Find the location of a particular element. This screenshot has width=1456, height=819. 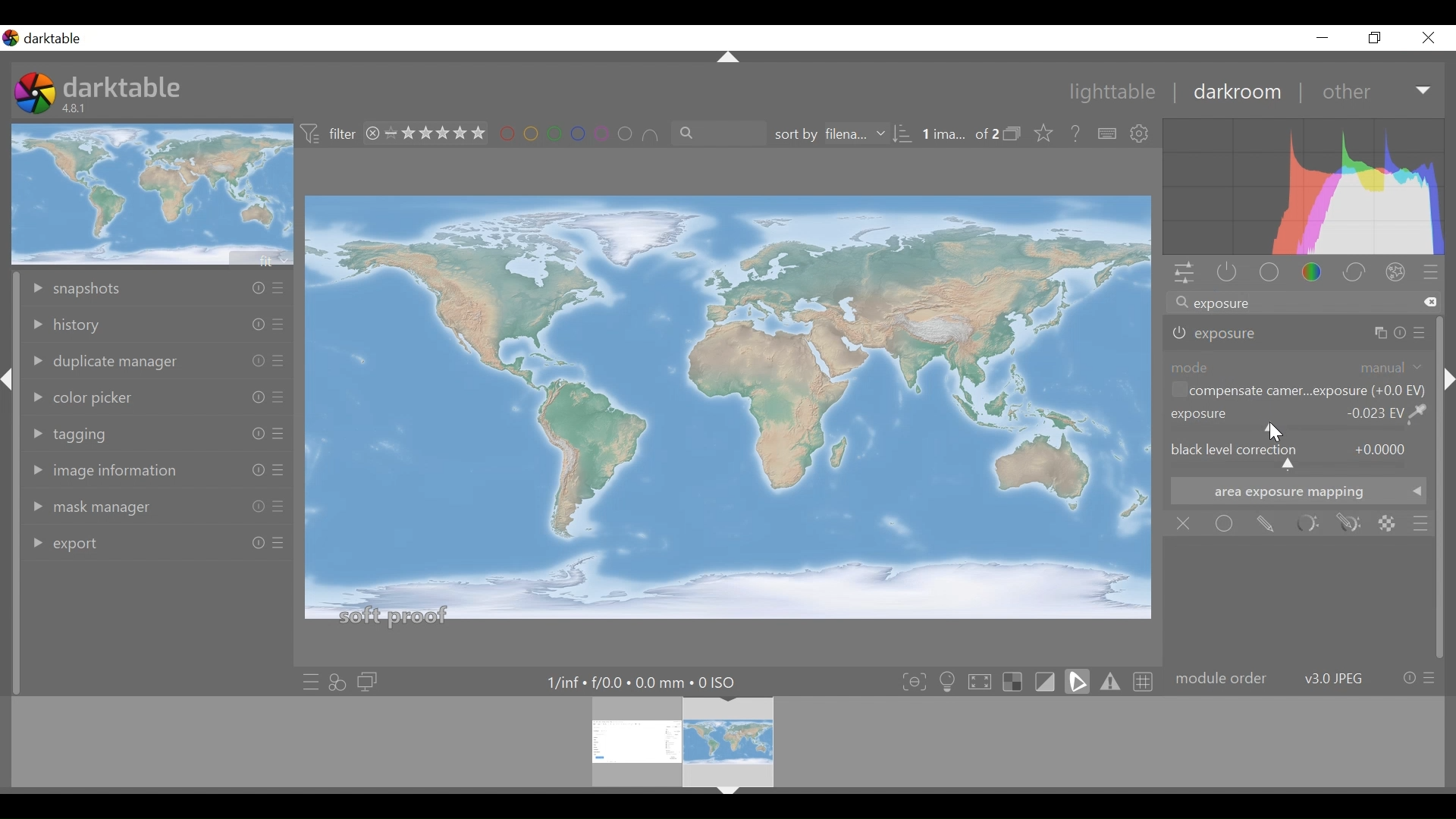

 is located at coordinates (278, 548).